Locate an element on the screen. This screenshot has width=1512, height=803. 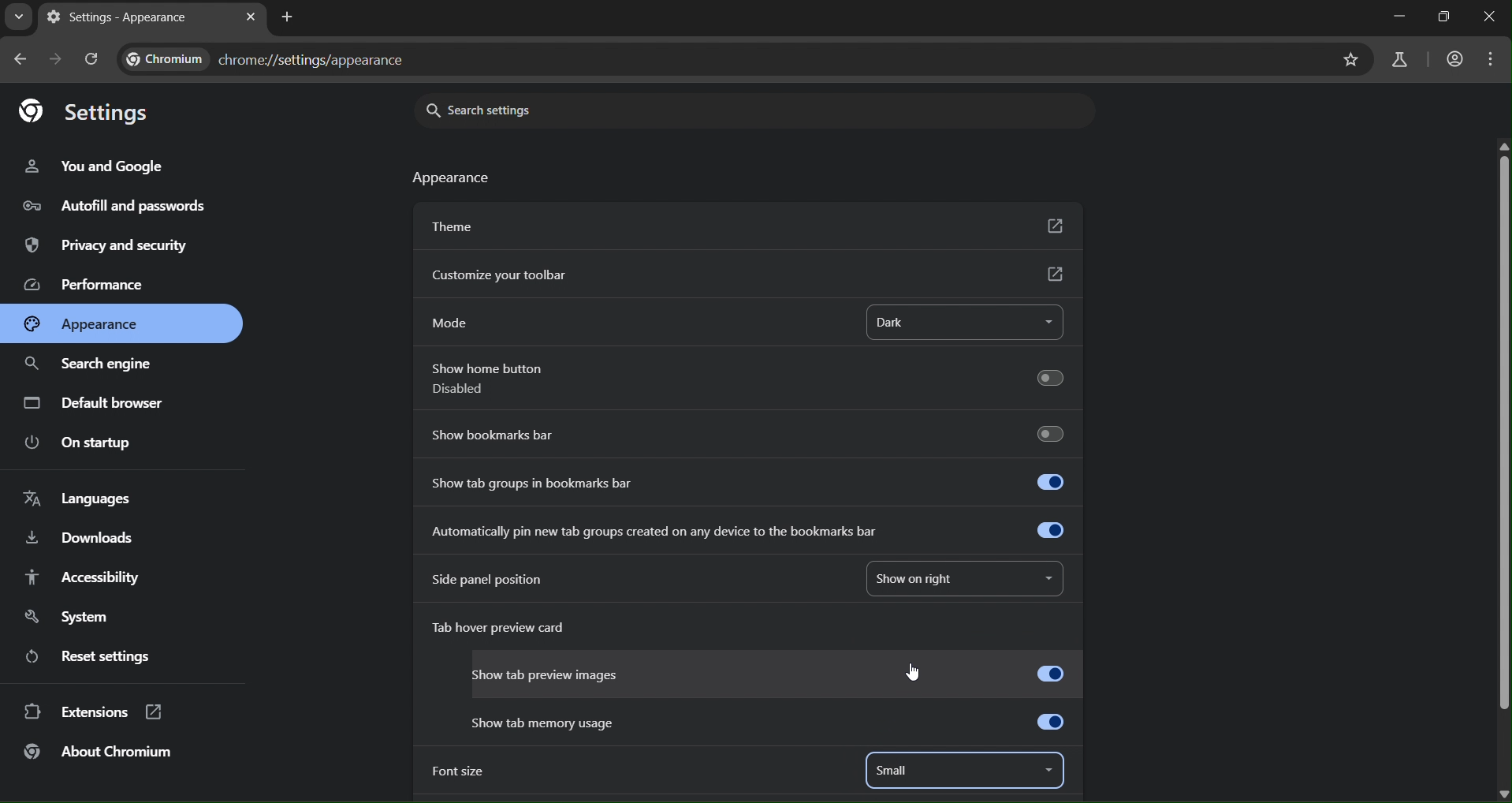
downloads is located at coordinates (80, 536).